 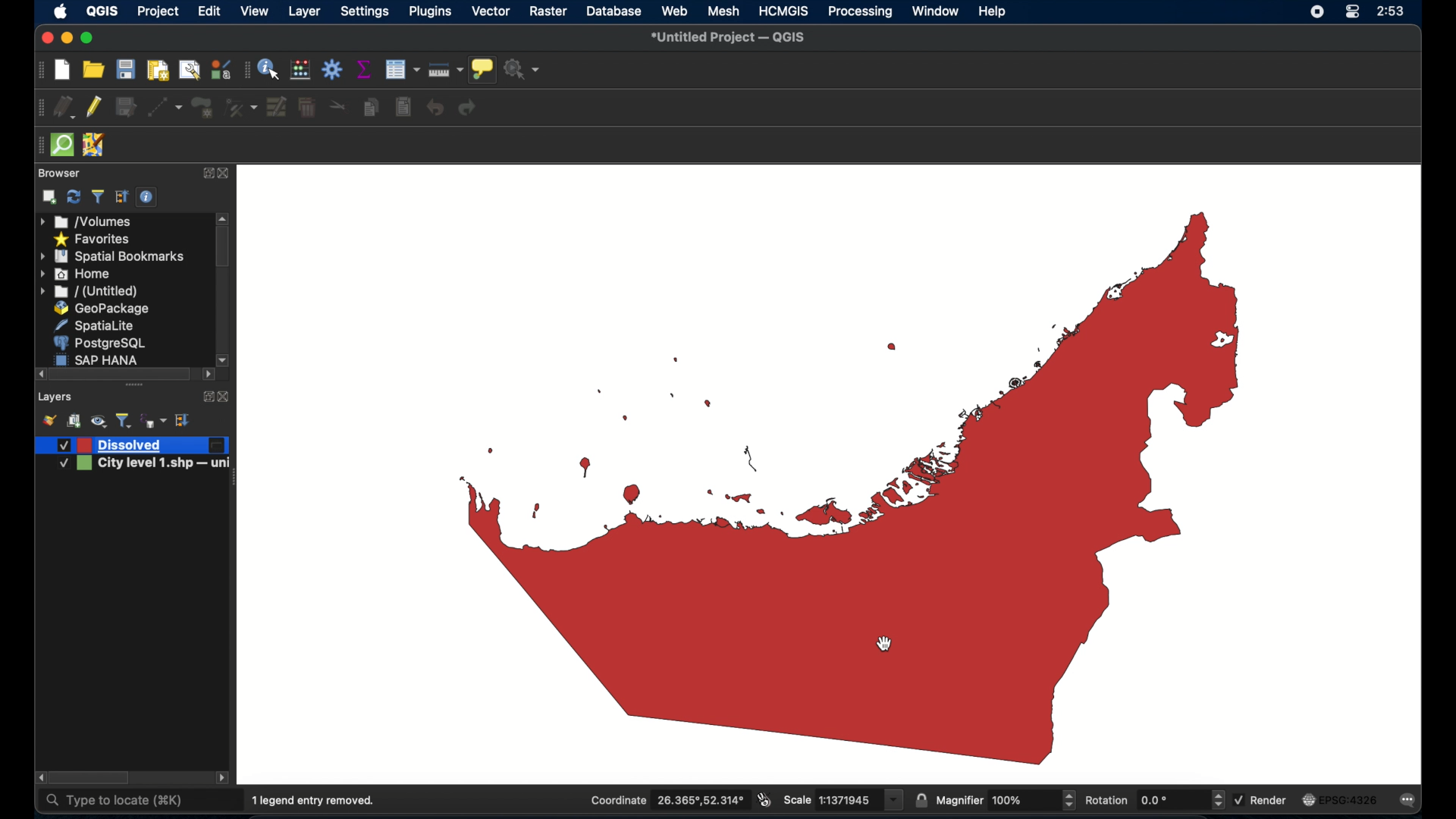 I want to click on expand all, so click(x=122, y=197).